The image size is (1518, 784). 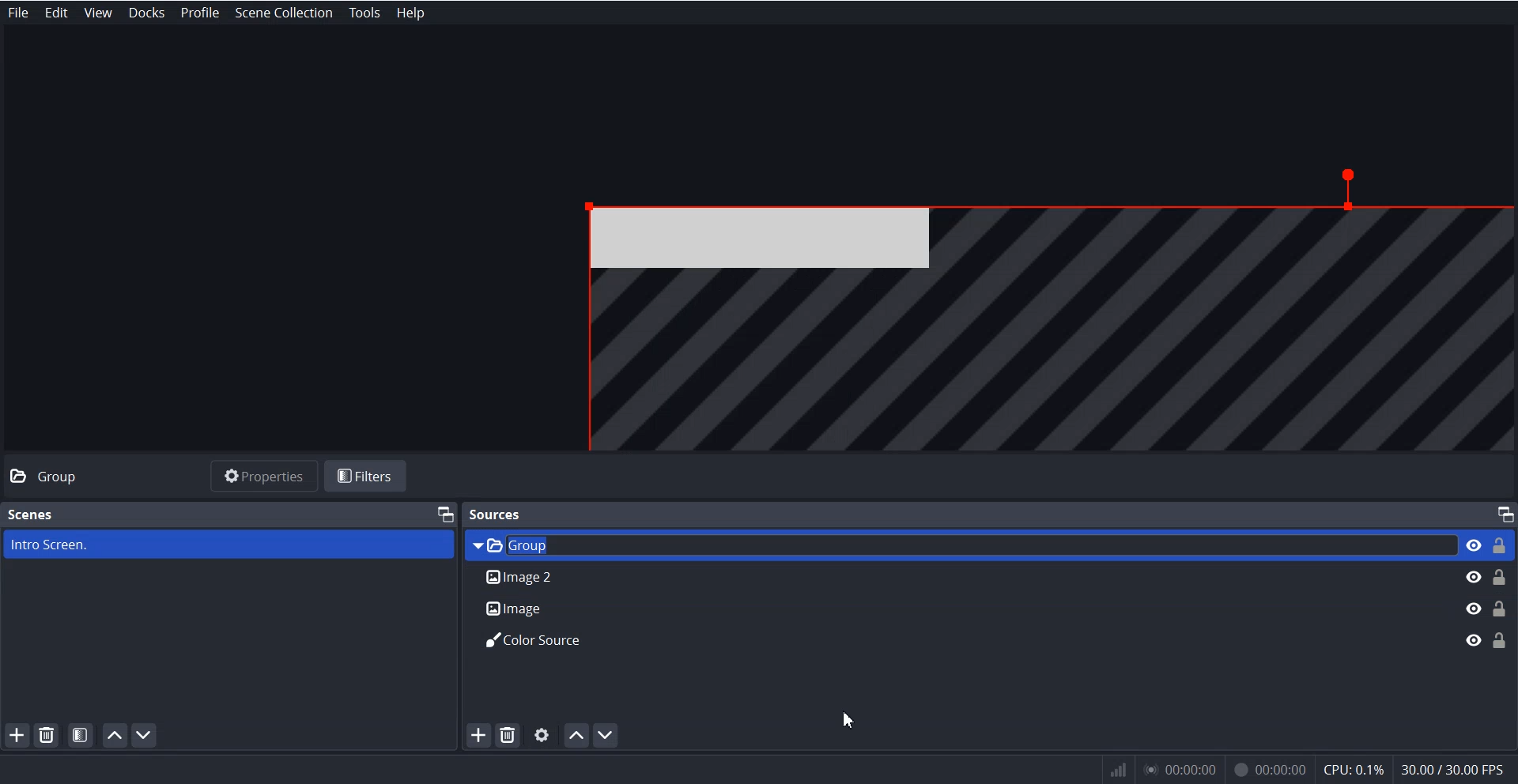 What do you see at coordinates (16, 733) in the screenshot?
I see `Add Scene` at bounding box center [16, 733].